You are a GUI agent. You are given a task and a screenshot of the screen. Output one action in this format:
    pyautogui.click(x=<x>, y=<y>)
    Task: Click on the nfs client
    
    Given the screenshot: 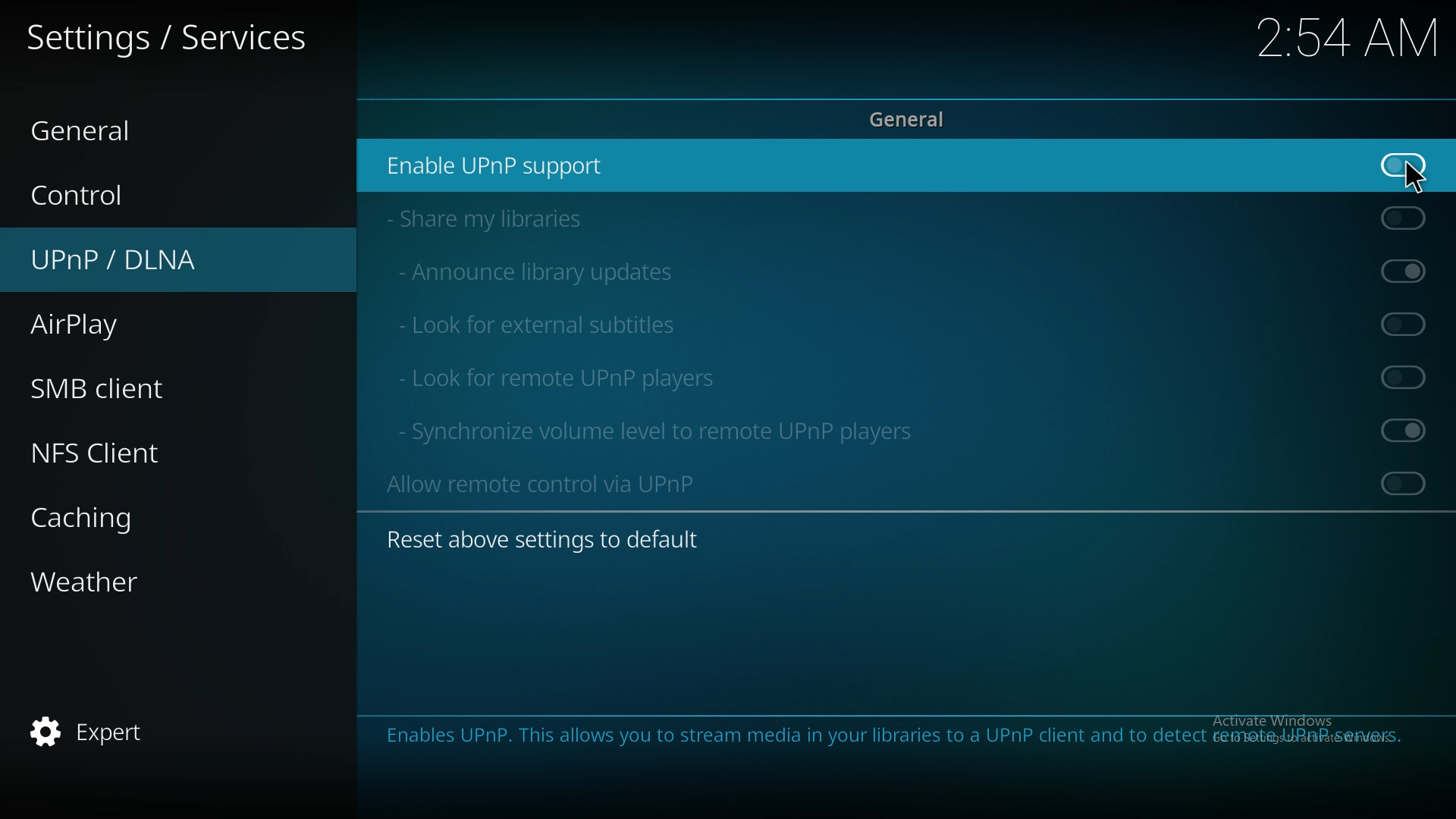 What is the action you would take?
    pyautogui.click(x=106, y=455)
    